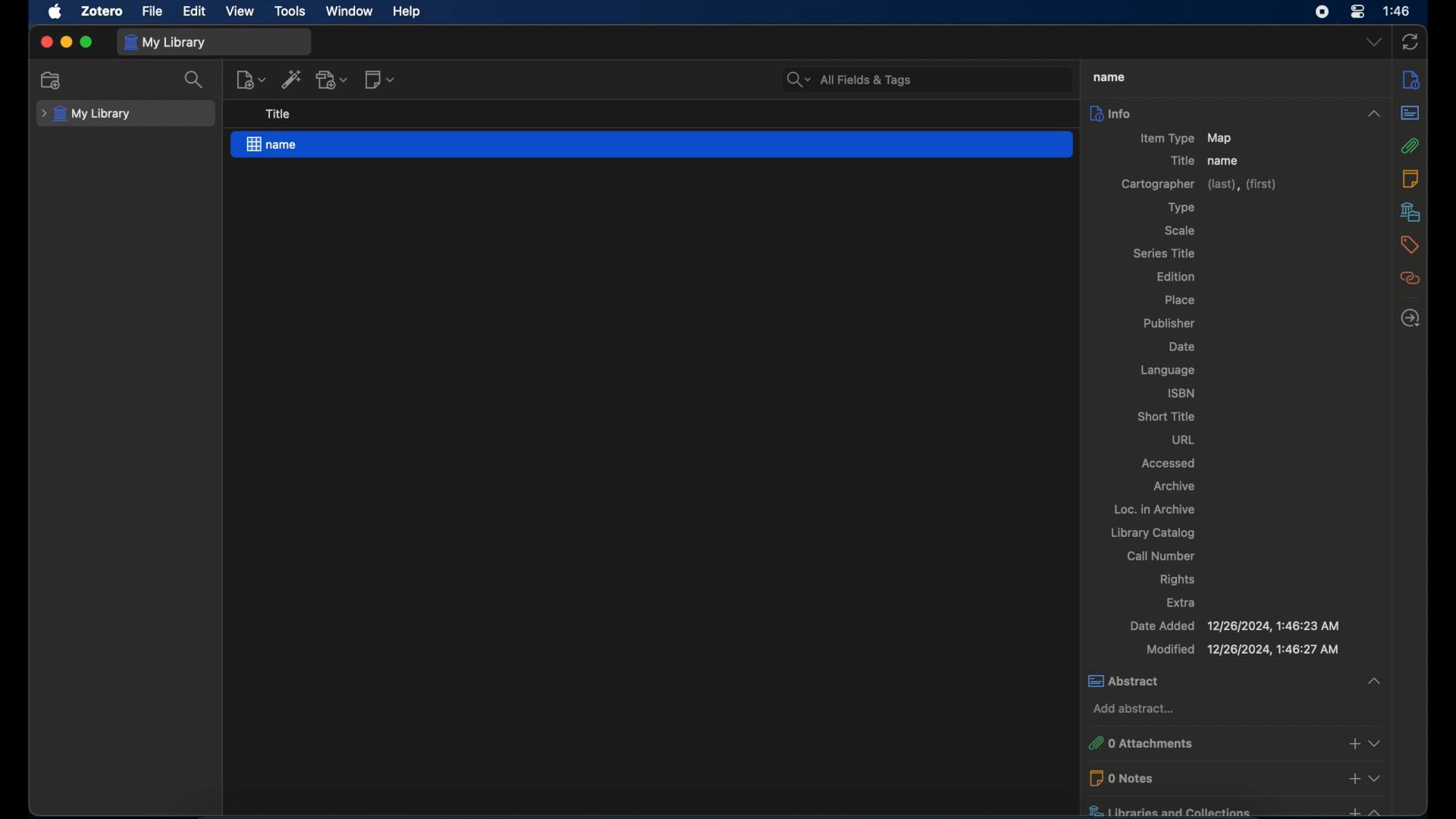  I want to click on modified 12/26/2024, 1:46:23 AM, so click(1241, 649).